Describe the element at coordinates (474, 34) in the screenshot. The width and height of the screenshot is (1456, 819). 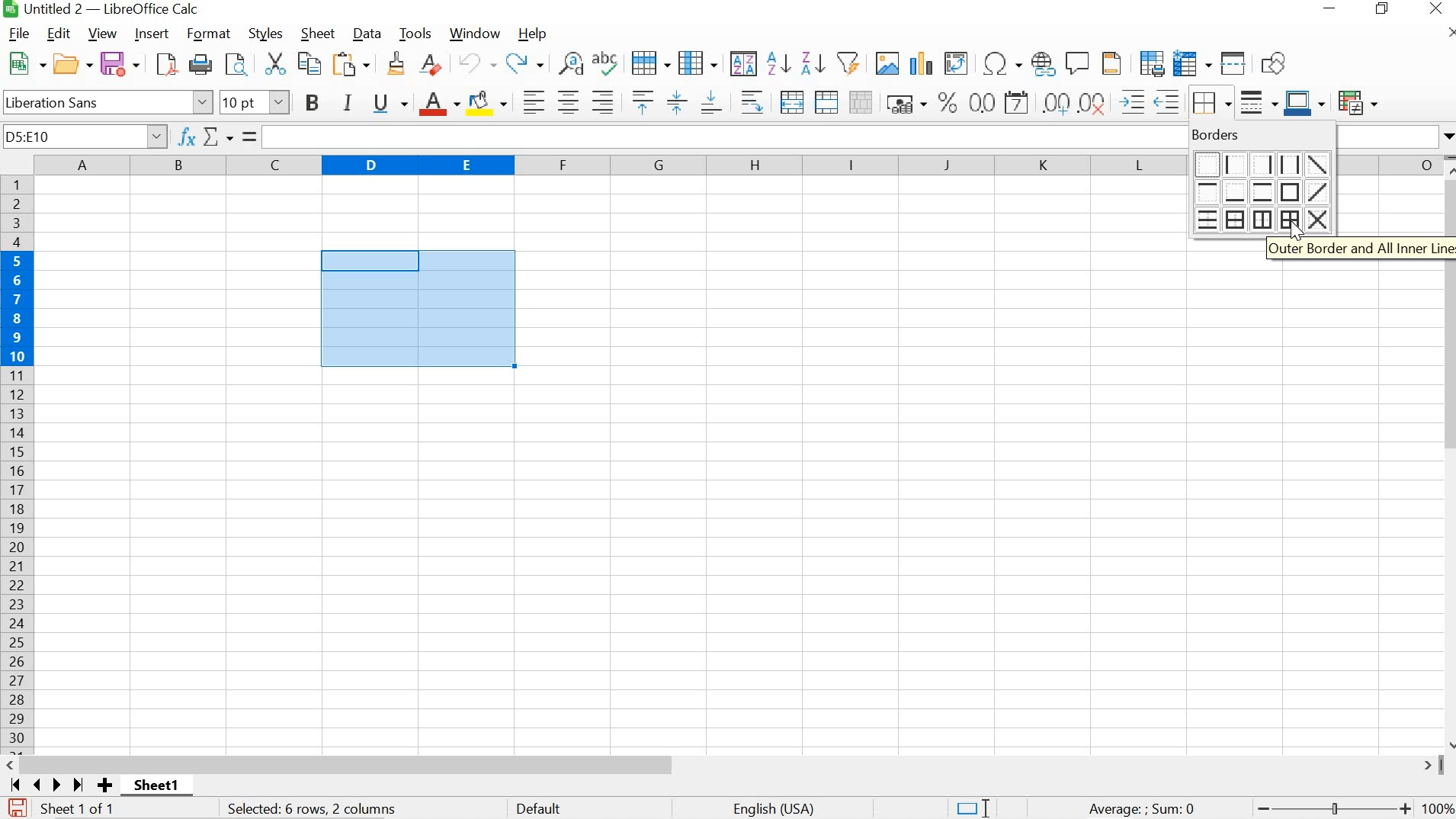
I see `WINDOW` at that location.